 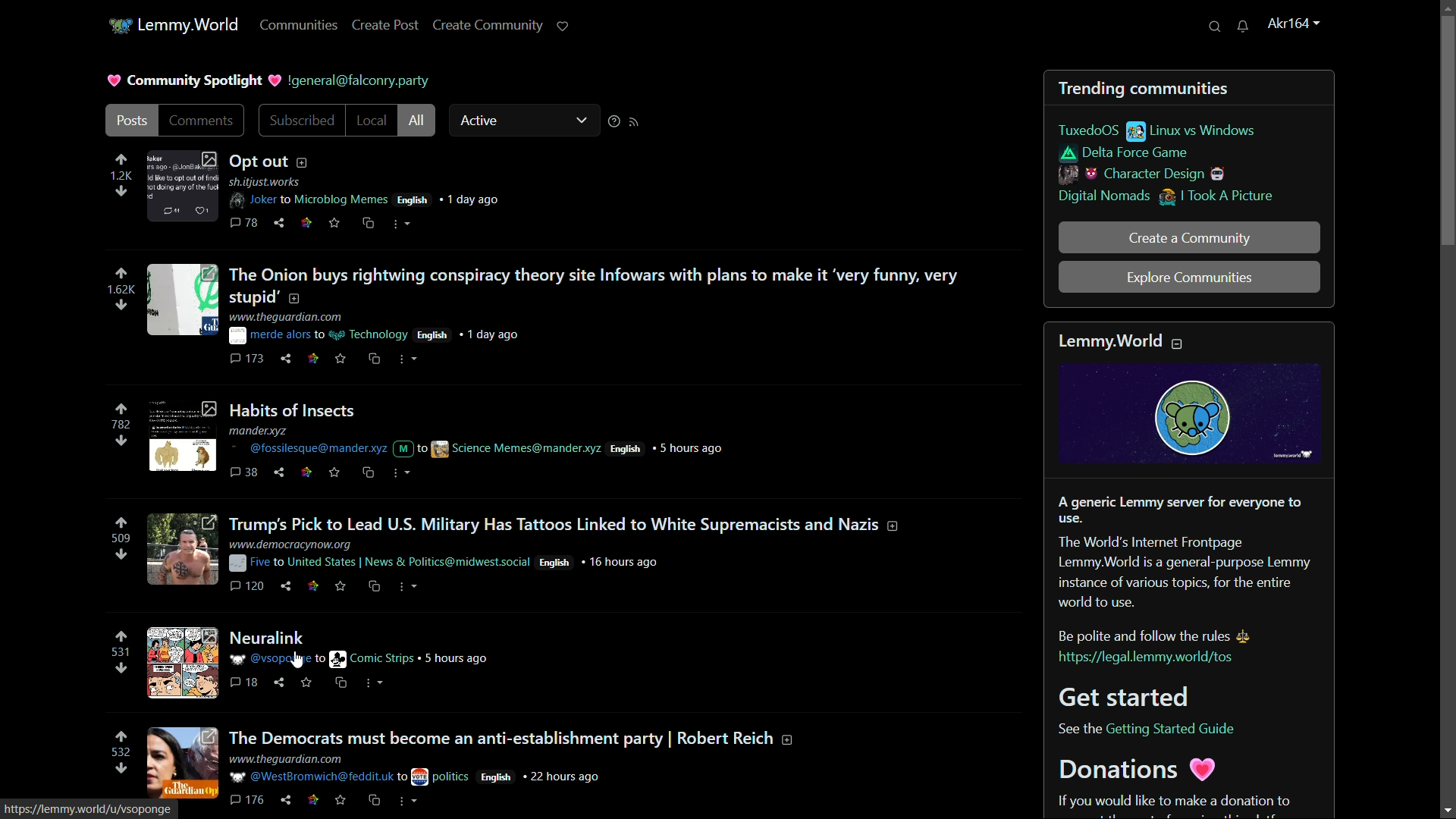 What do you see at coordinates (1445, 131) in the screenshot?
I see `scroll bar` at bounding box center [1445, 131].